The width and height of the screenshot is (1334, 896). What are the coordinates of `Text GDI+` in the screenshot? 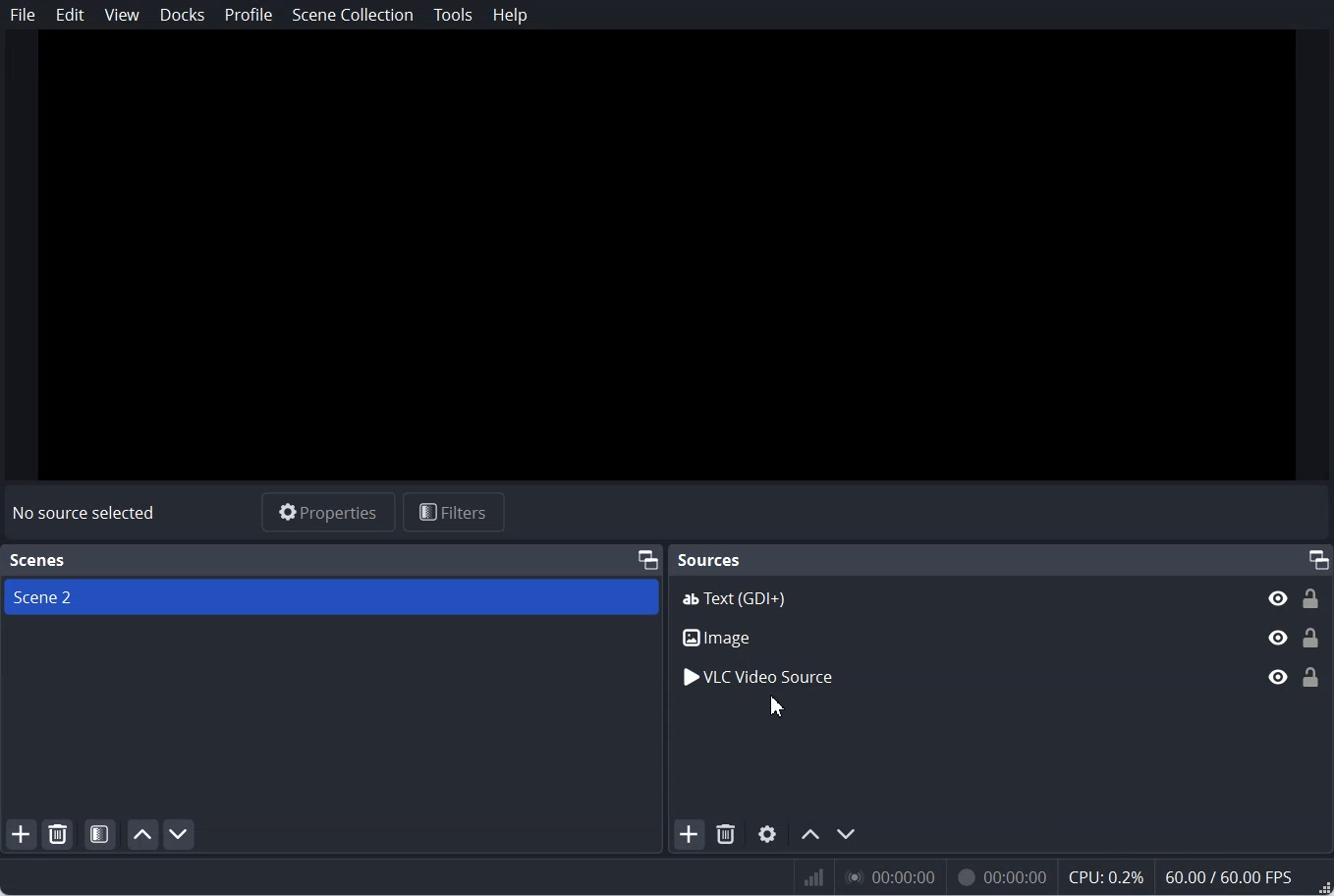 It's located at (1001, 596).